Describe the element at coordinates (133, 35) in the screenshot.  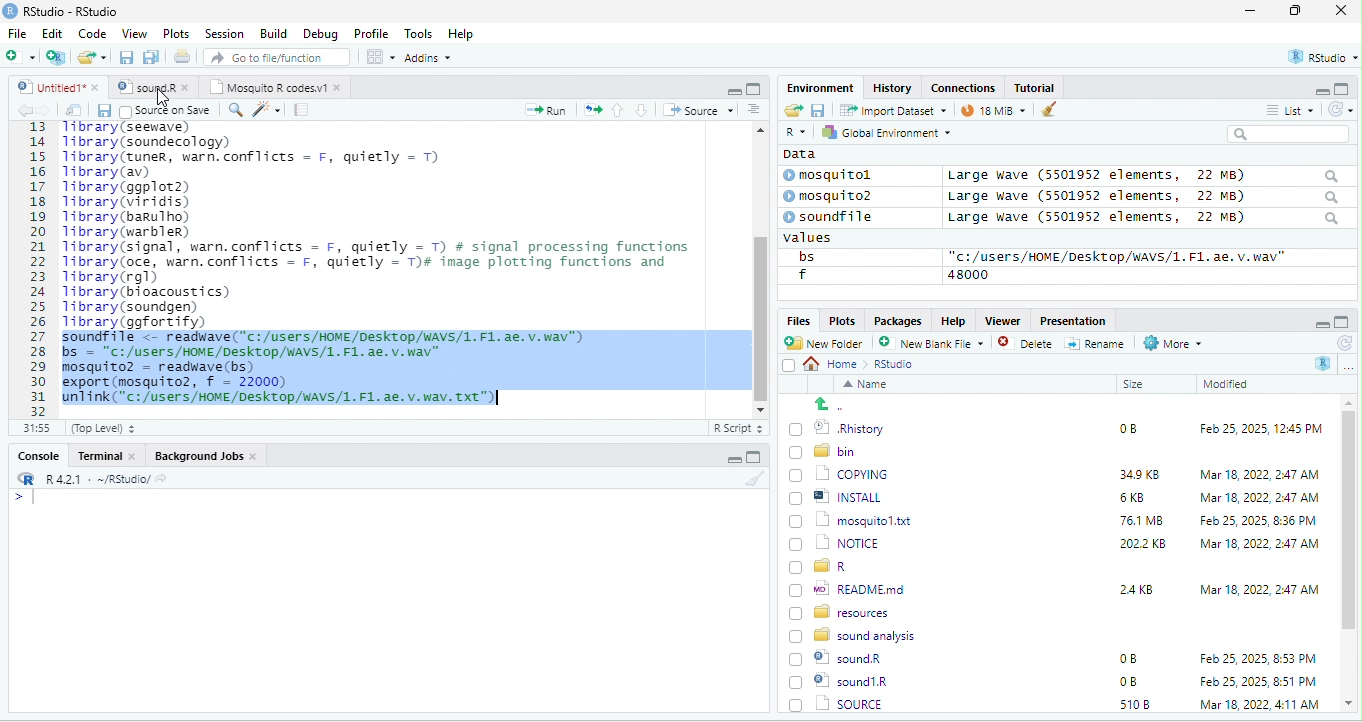
I see `View` at that location.